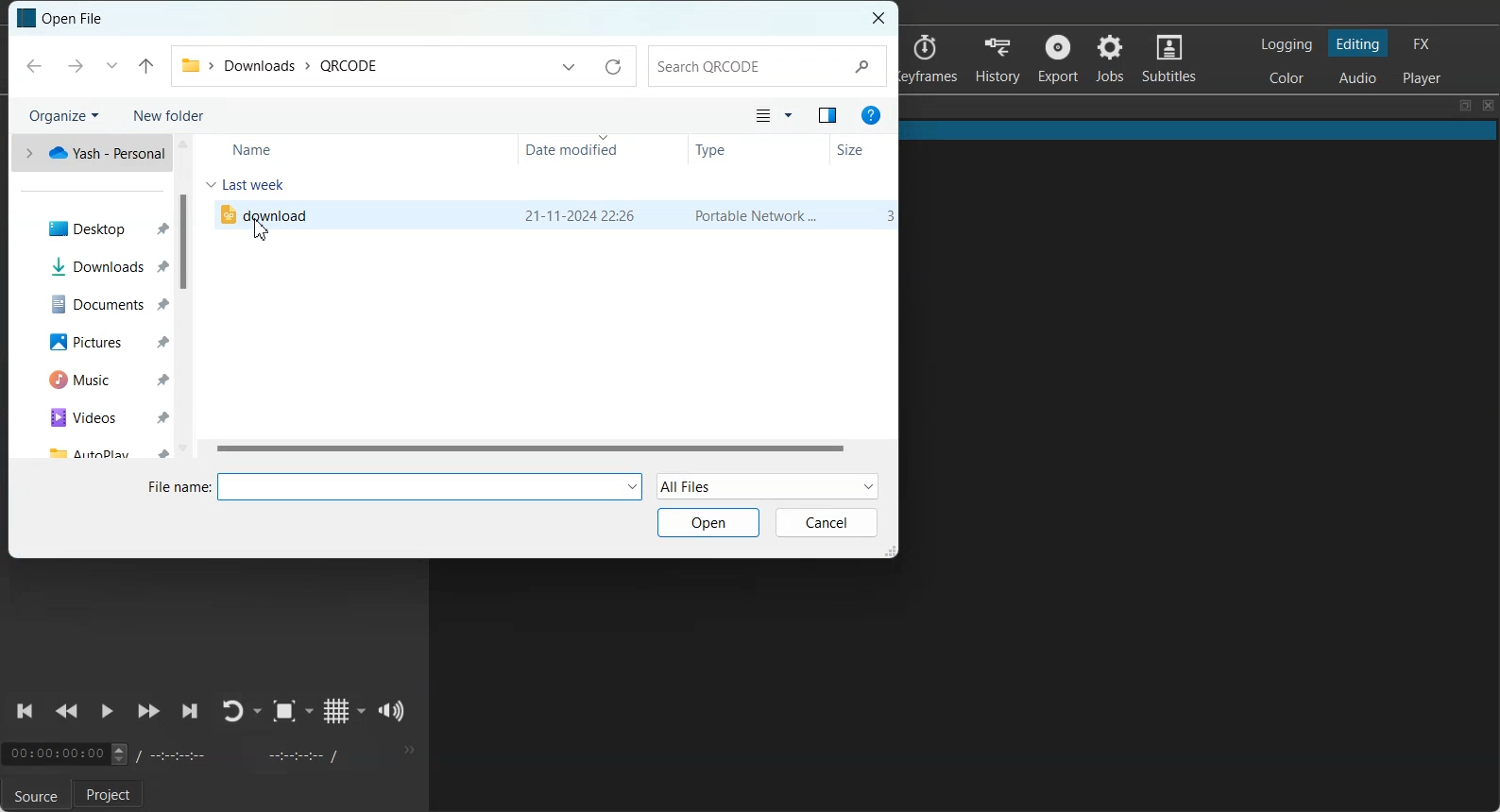 The image size is (1500, 812). I want to click on Recording time, so click(244, 754).